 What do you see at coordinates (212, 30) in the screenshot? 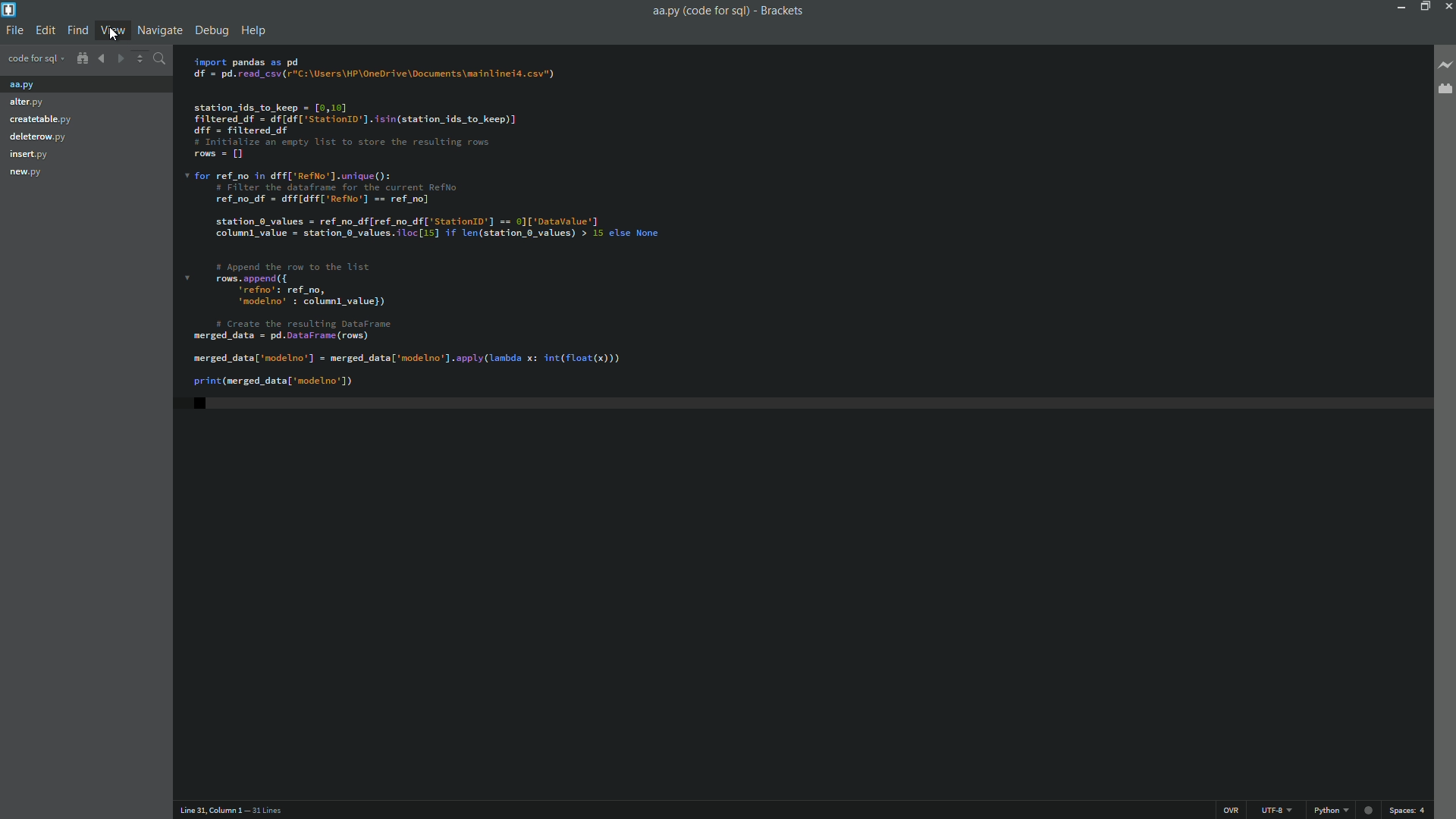
I see `debug menu` at bounding box center [212, 30].